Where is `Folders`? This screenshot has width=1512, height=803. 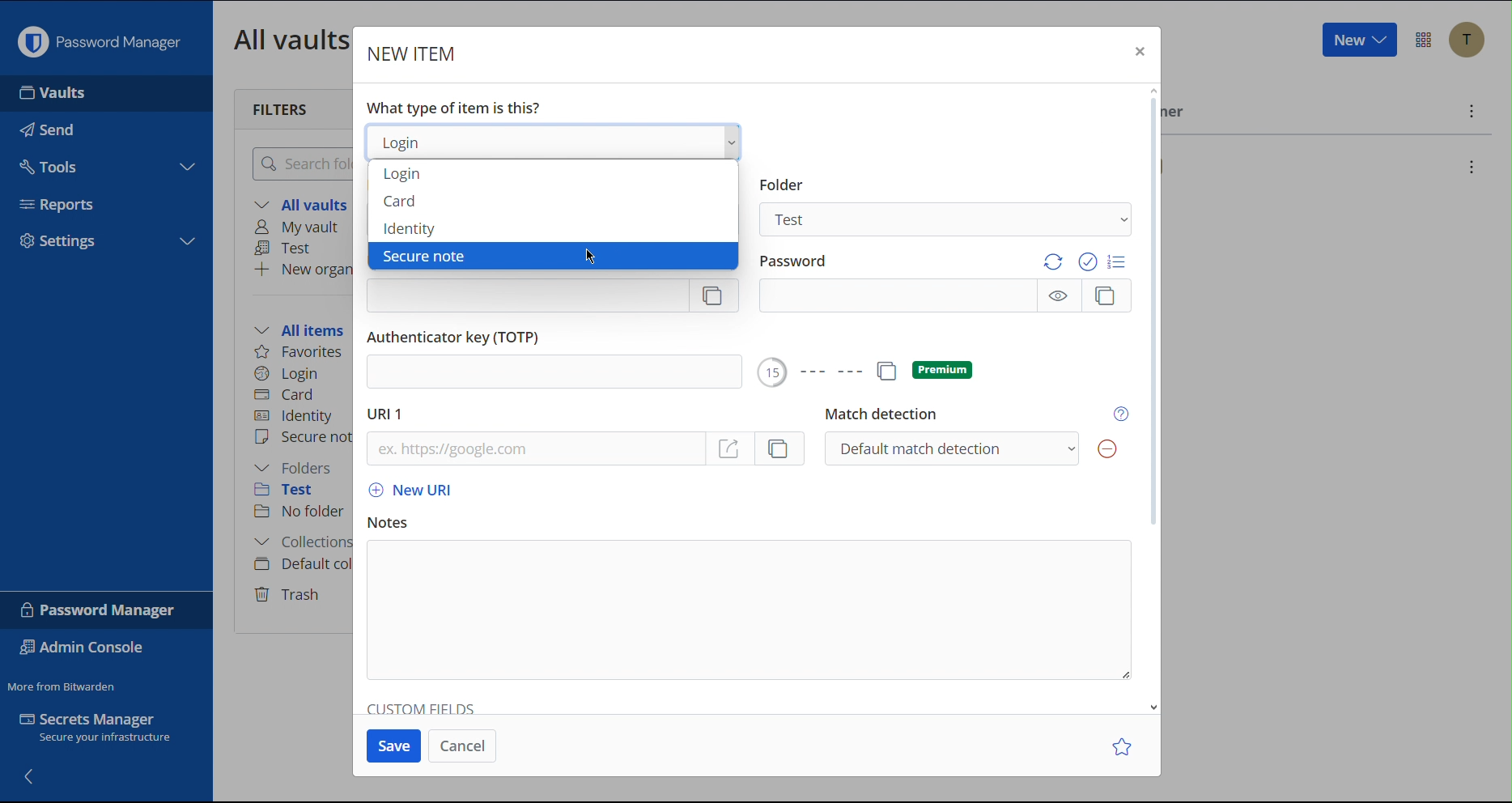 Folders is located at coordinates (297, 468).